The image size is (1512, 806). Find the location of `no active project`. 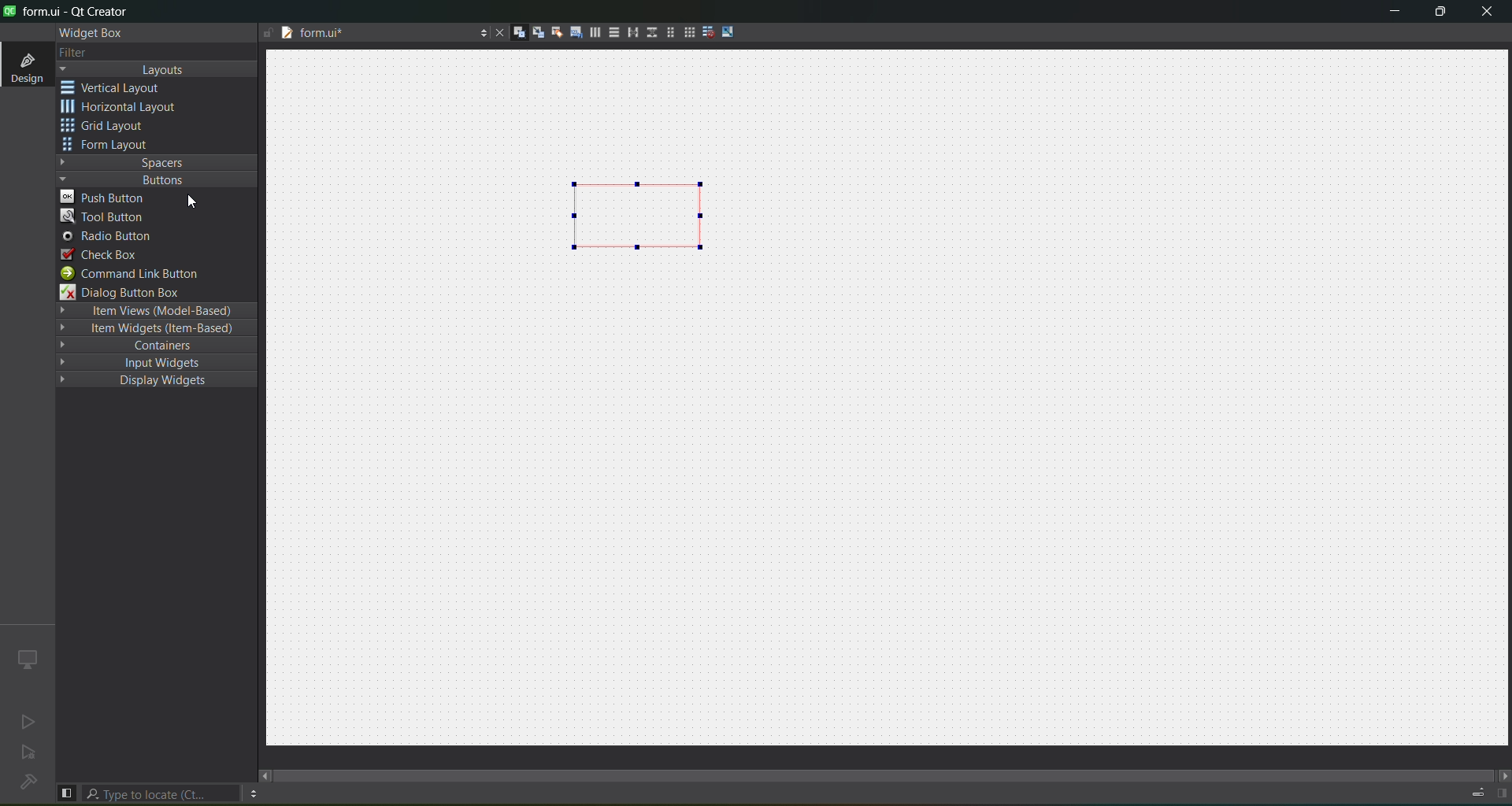

no active project is located at coordinates (29, 755).